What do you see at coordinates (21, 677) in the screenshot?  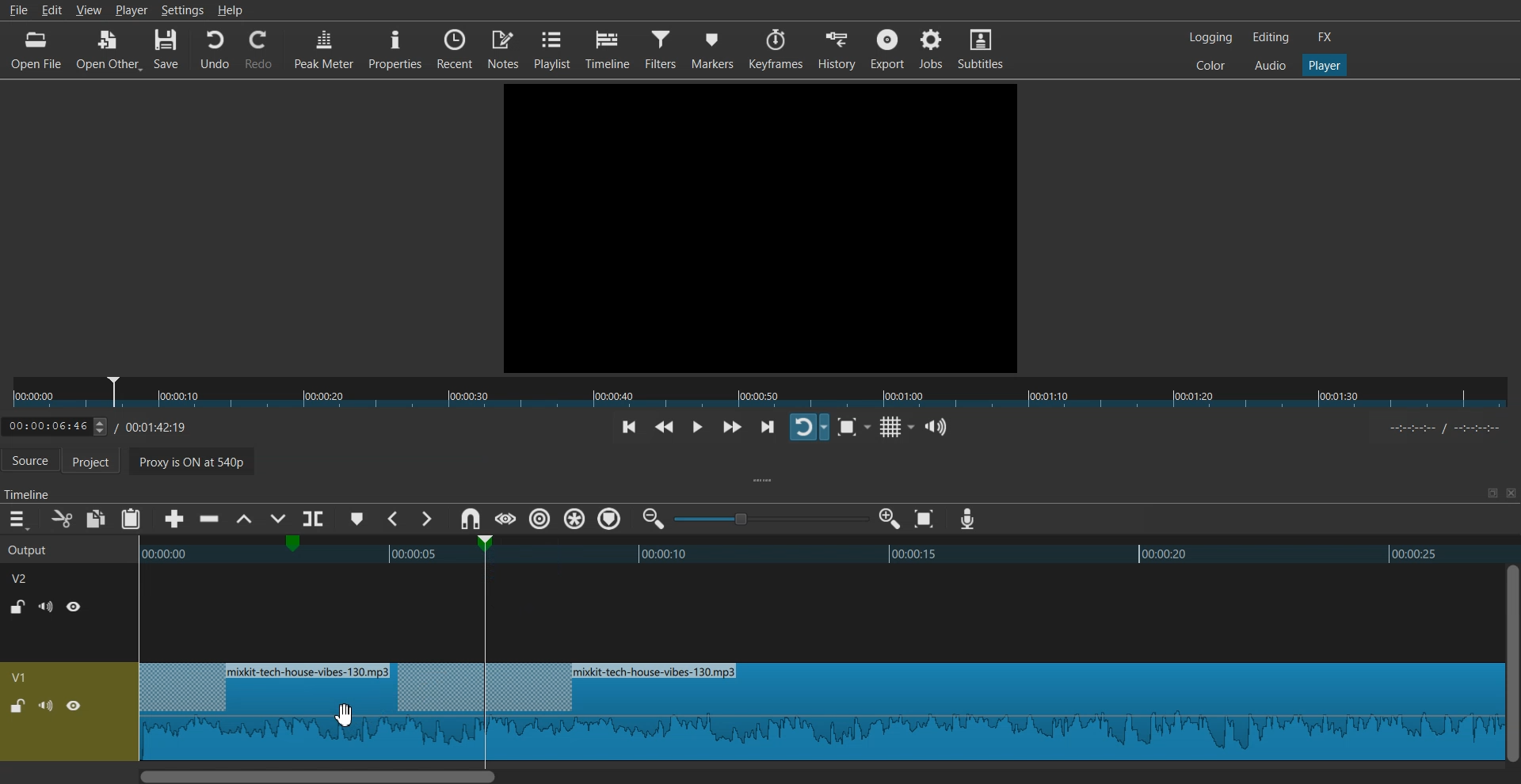 I see `V1` at bounding box center [21, 677].